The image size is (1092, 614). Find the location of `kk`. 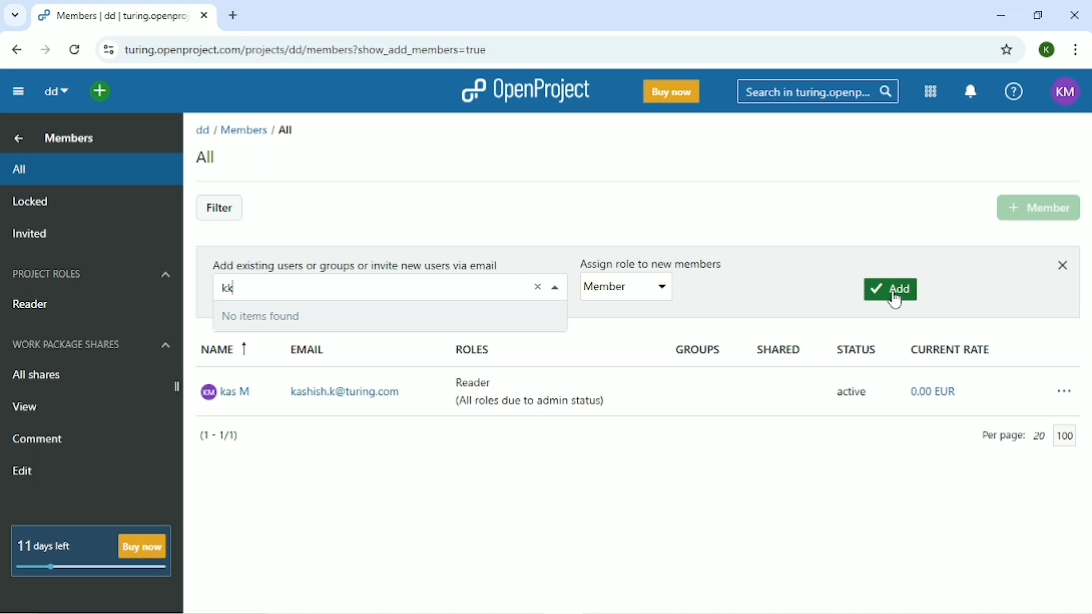

kk is located at coordinates (231, 286).